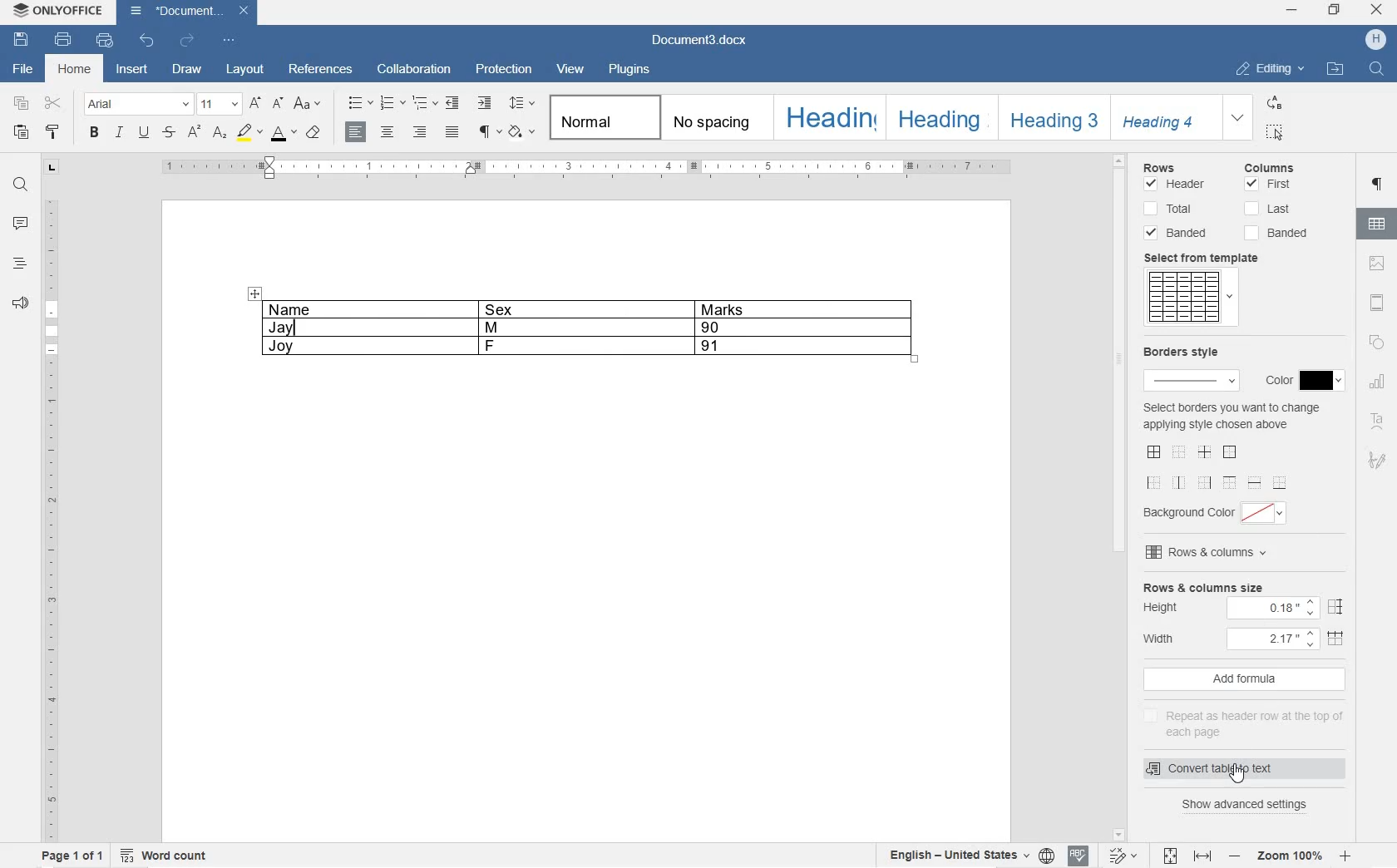 The height and width of the screenshot is (868, 1397). What do you see at coordinates (505, 72) in the screenshot?
I see `PROTECTION` at bounding box center [505, 72].